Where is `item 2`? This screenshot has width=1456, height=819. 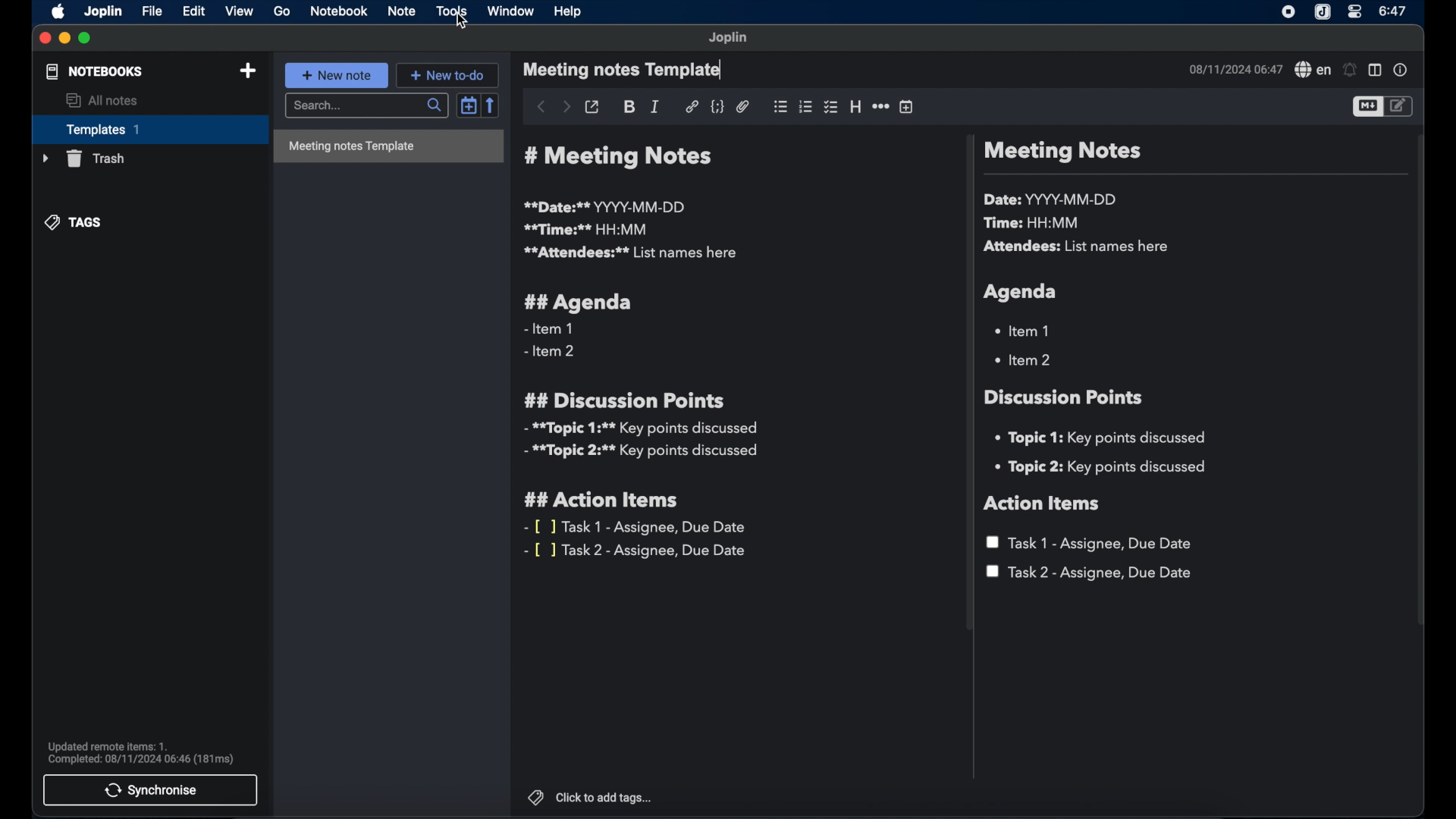 item 2 is located at coordinates (1025, 359).